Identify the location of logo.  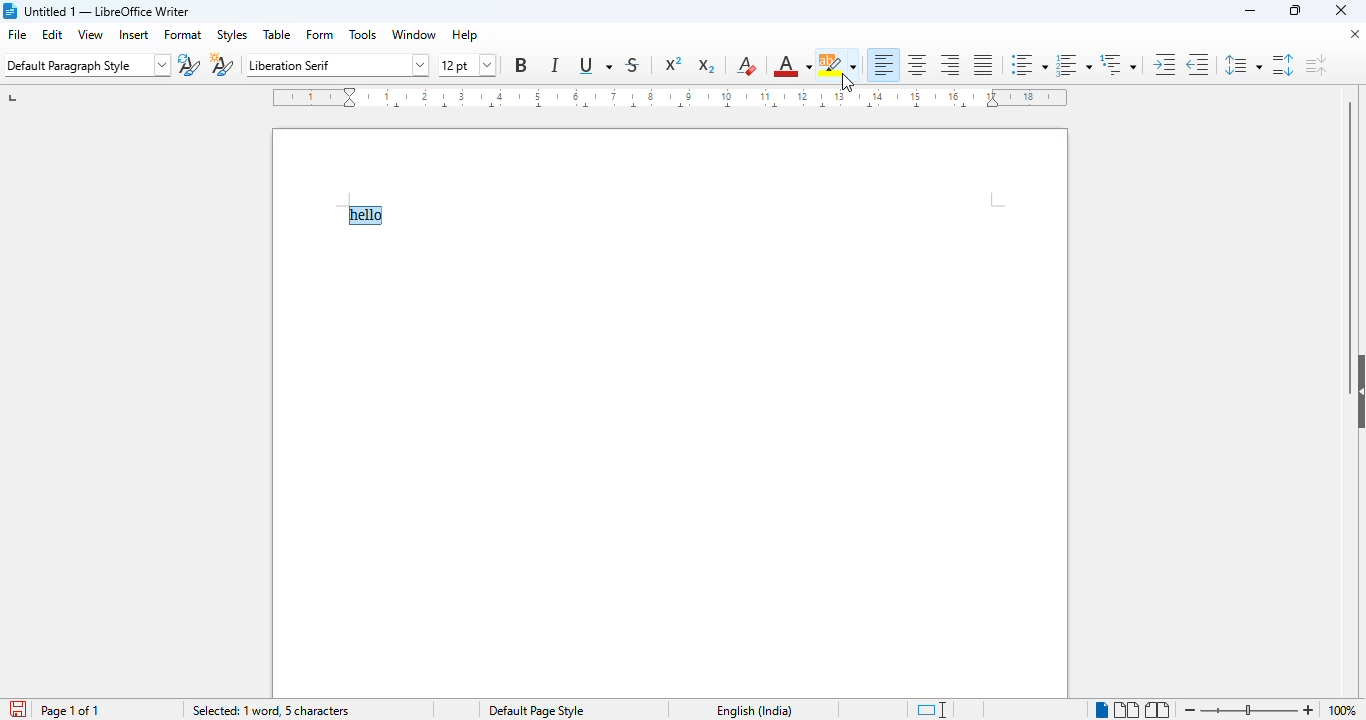
(12, 10).